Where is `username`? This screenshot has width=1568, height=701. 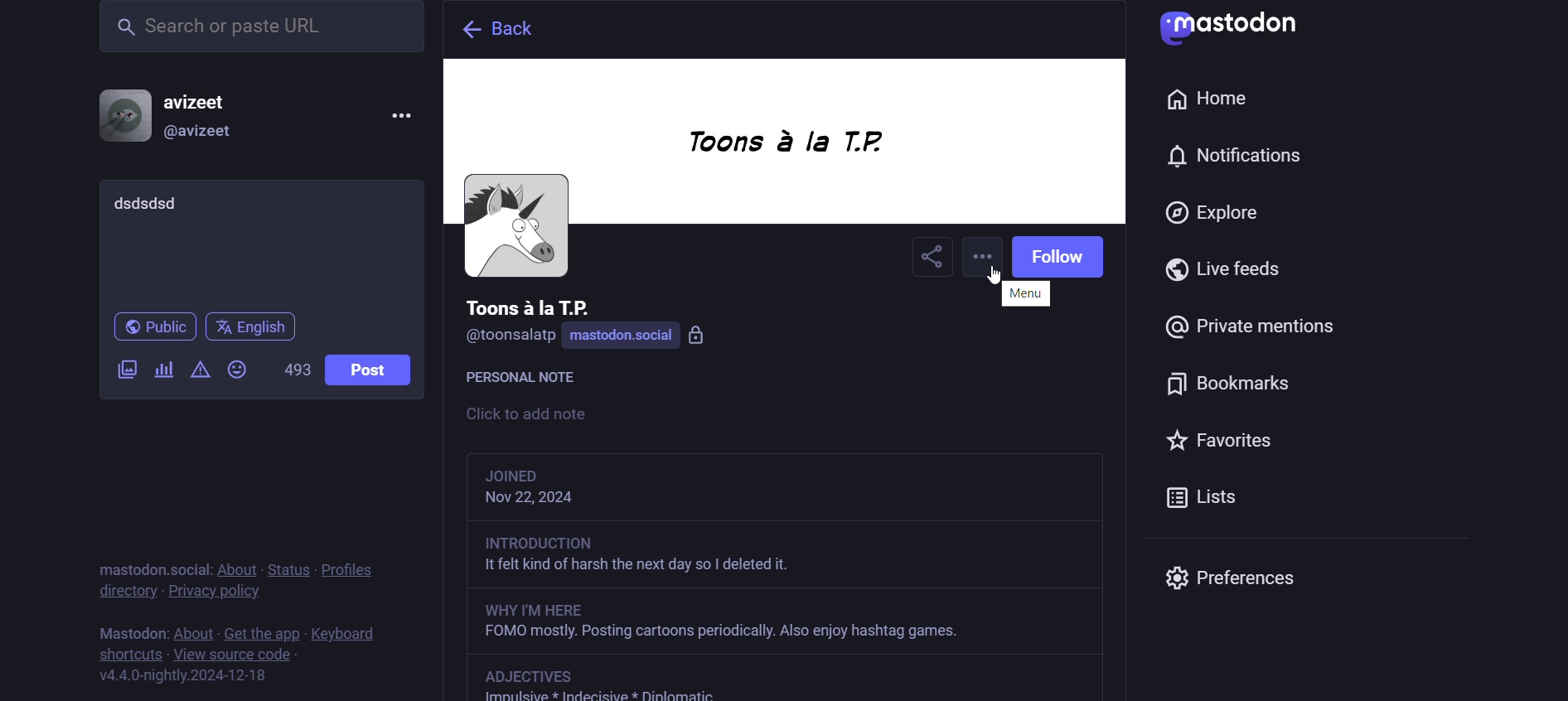 username is located at coordinates (529, 306).